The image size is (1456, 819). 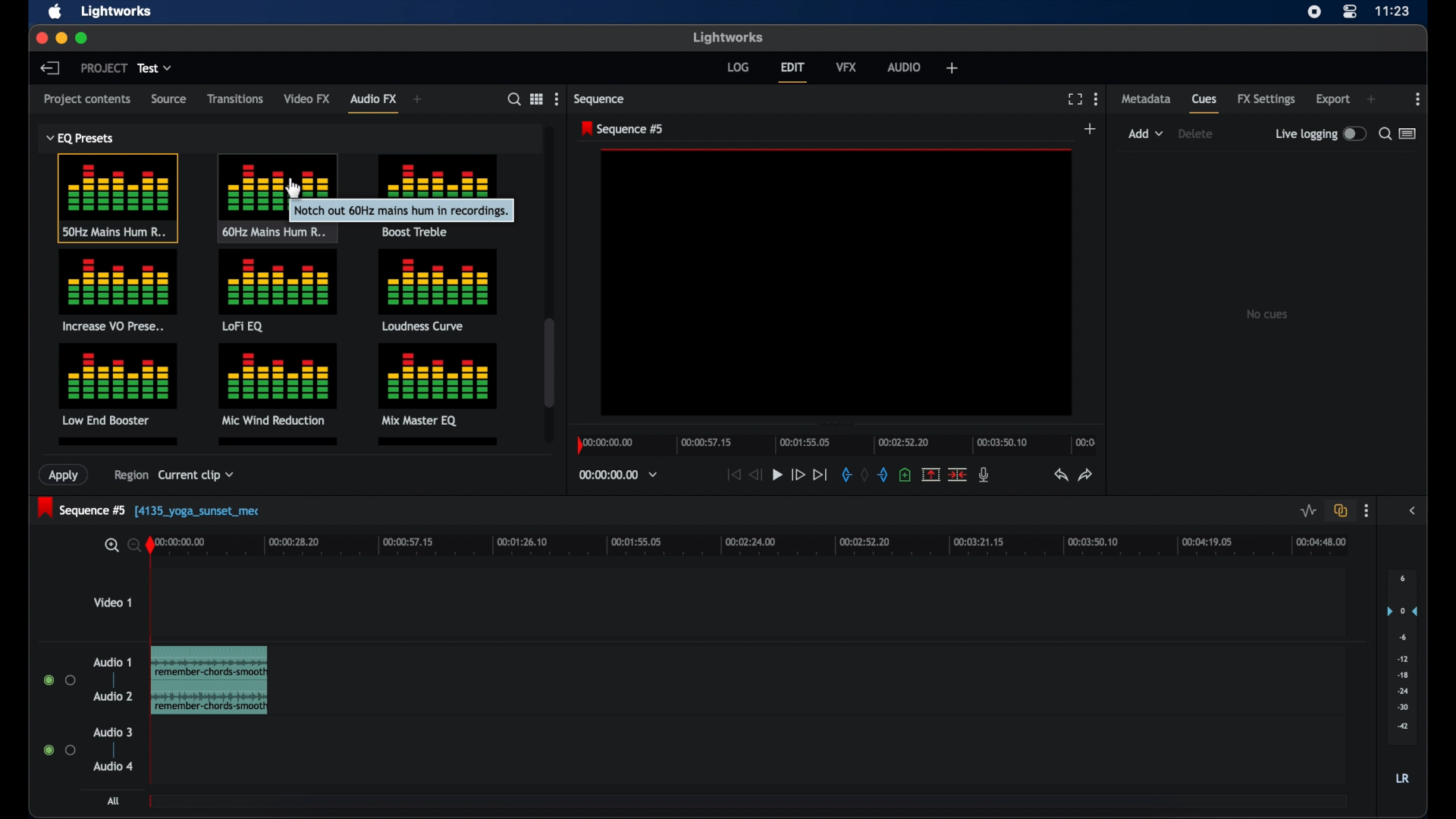 I want to click on out mark, so click(x=883, y=475).